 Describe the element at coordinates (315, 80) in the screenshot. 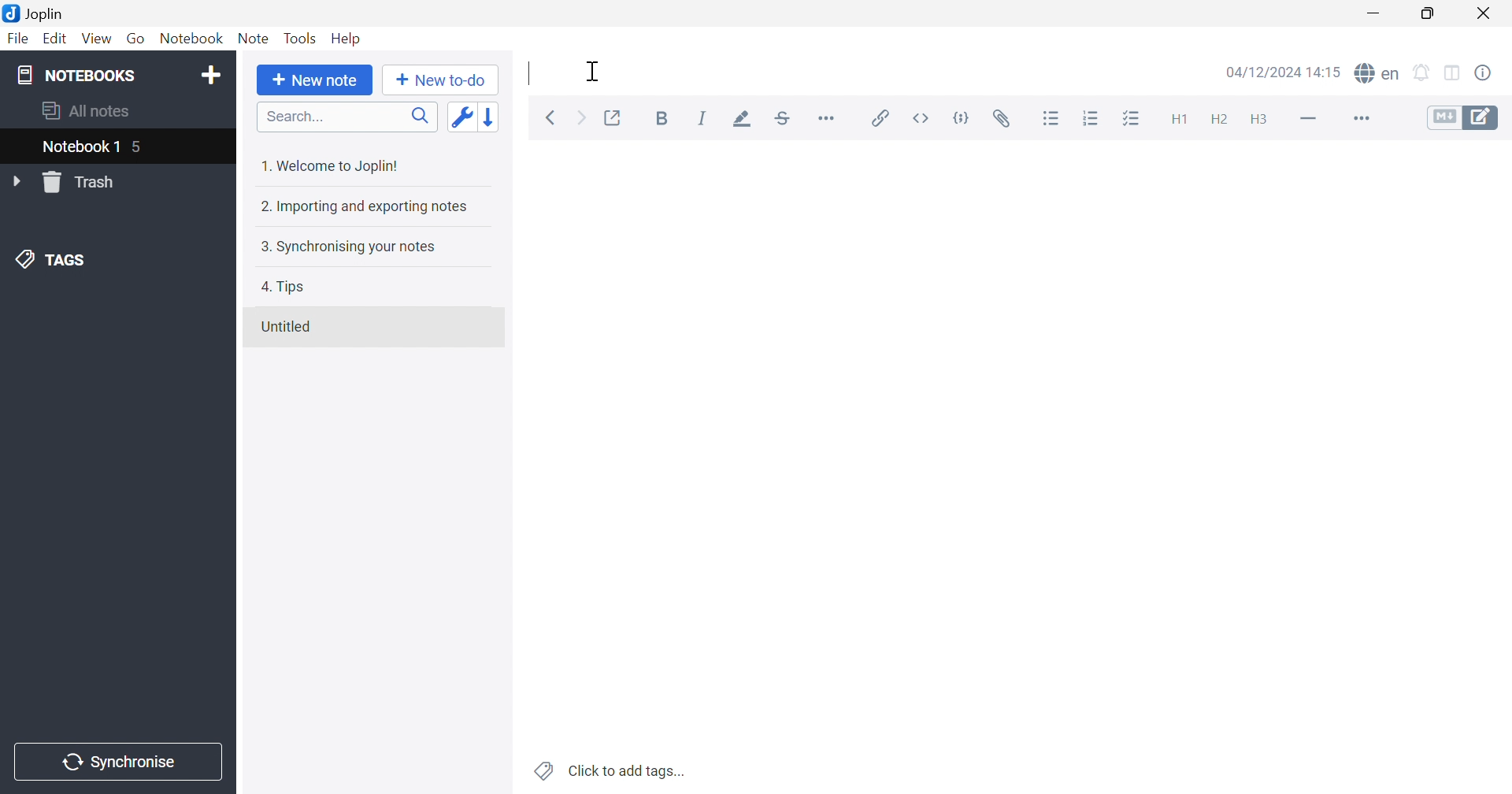

I see `New note` at that location.